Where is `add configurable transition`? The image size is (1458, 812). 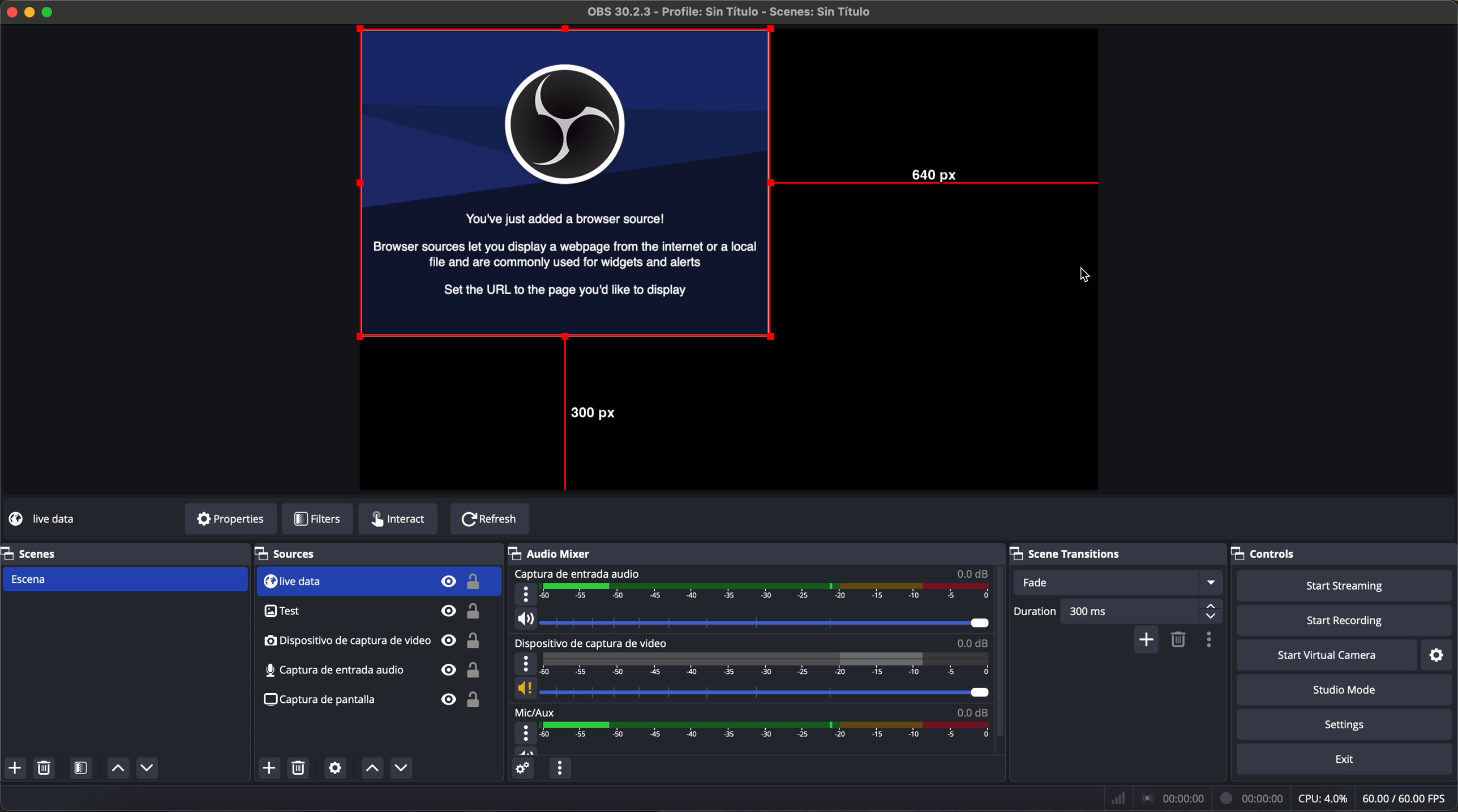
add configurable transition is located at coordinates (1147, 641).